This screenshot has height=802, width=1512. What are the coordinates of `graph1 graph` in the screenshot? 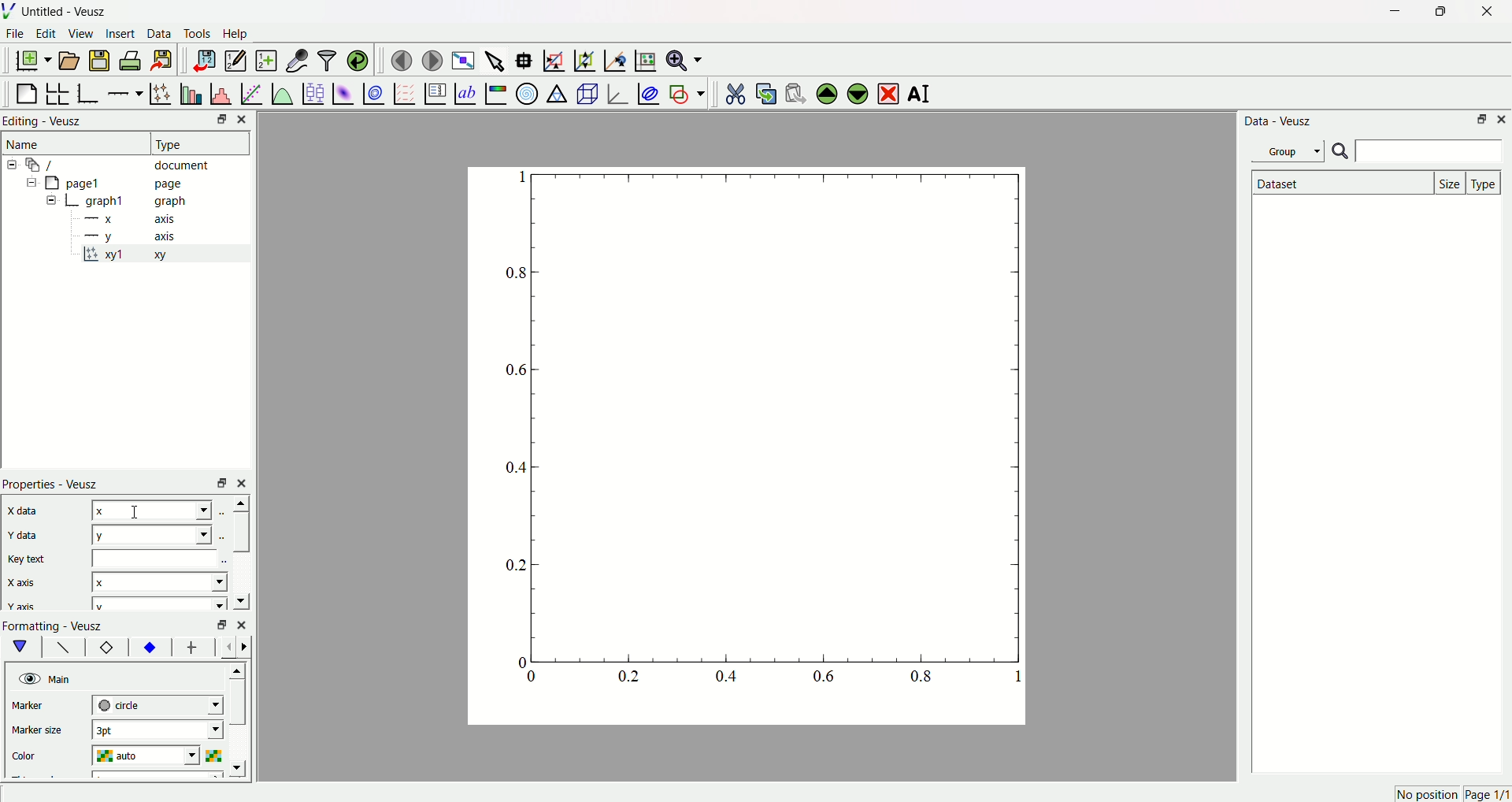 It's located at (137, 202).